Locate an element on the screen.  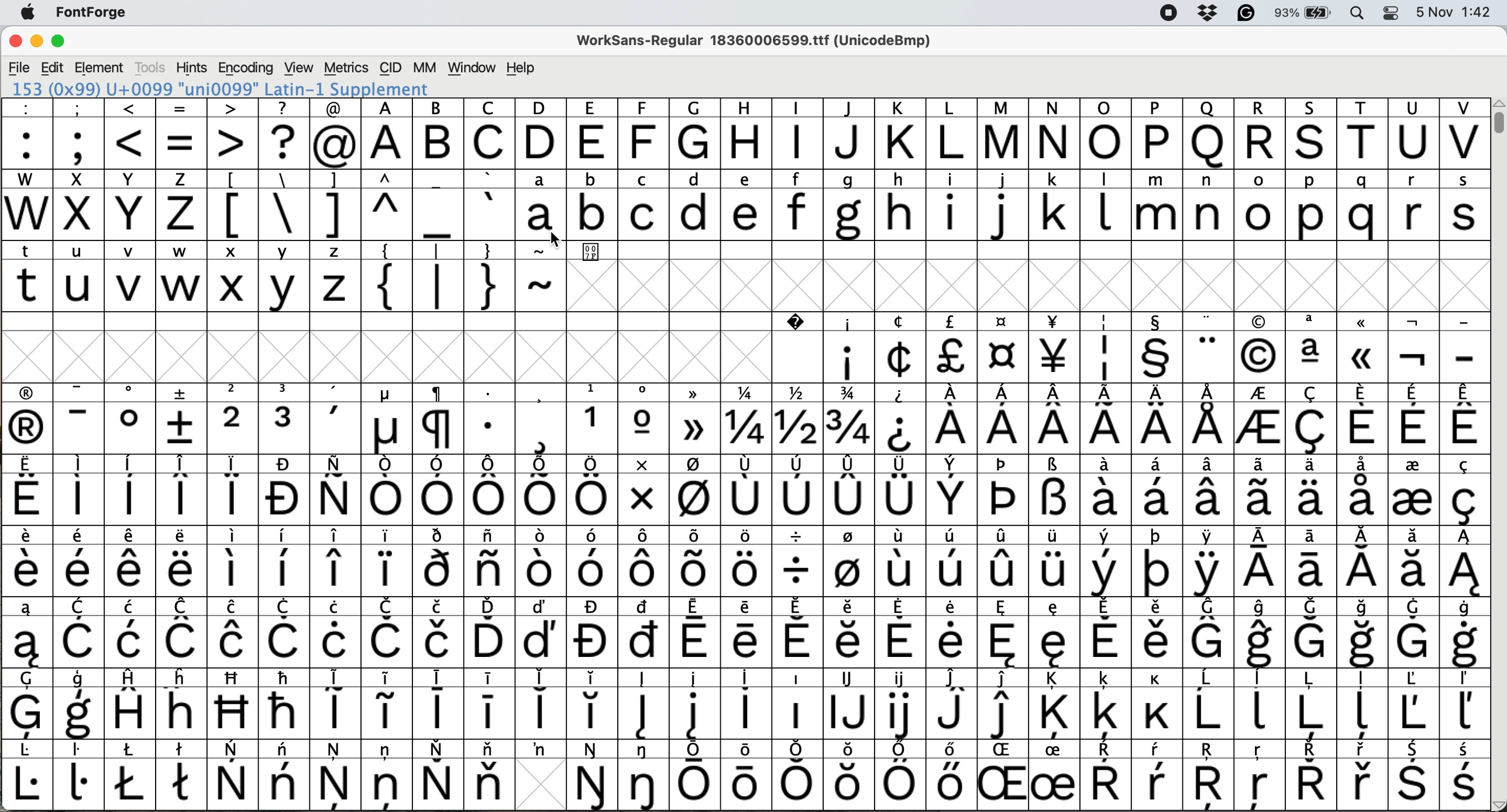
symbol is located at coordinates (1365, 634).